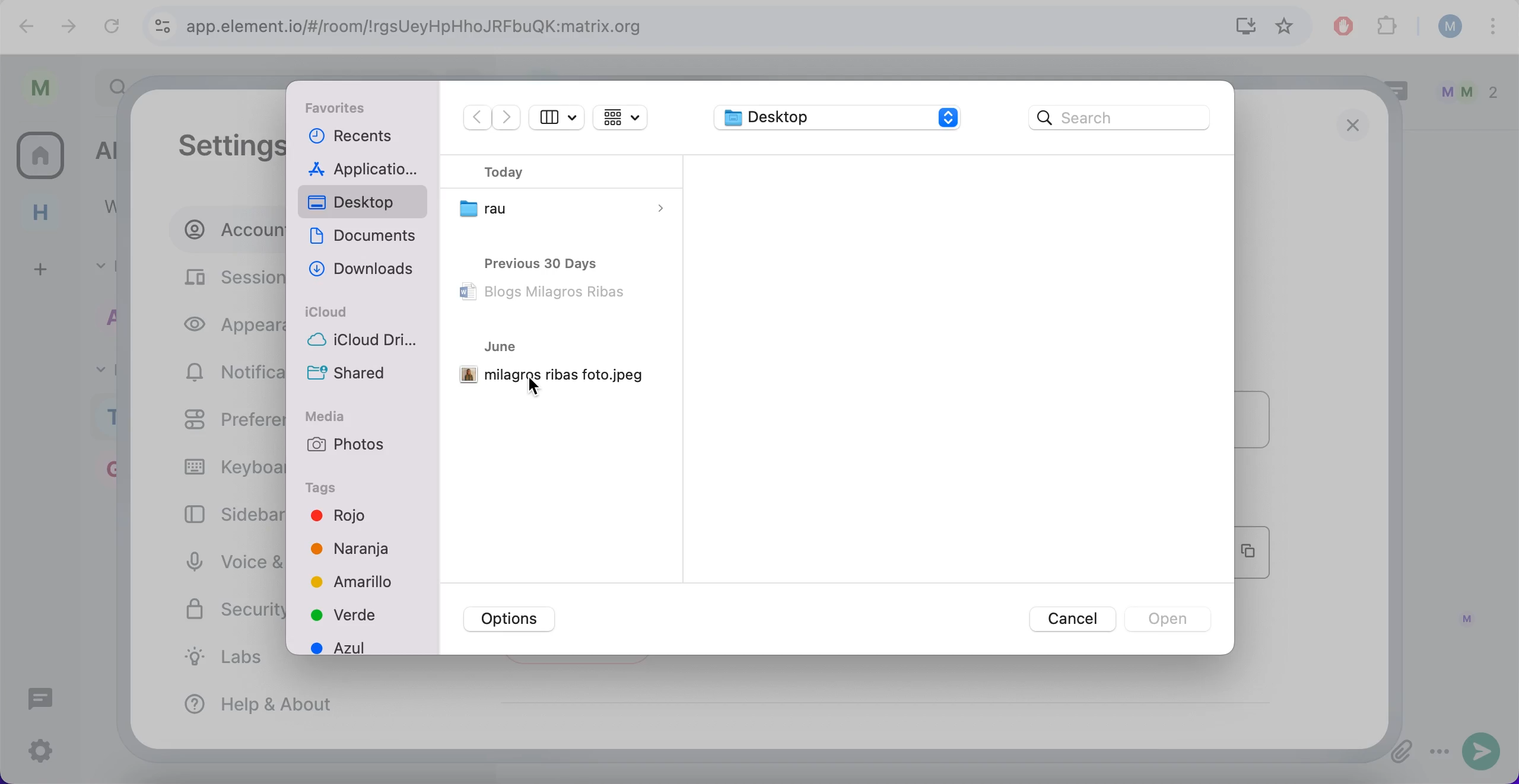 This screenshot has width=1519, height=784. Describe the element at coordinates (38, 267) in the screenshot. I see `create a space` at that location.